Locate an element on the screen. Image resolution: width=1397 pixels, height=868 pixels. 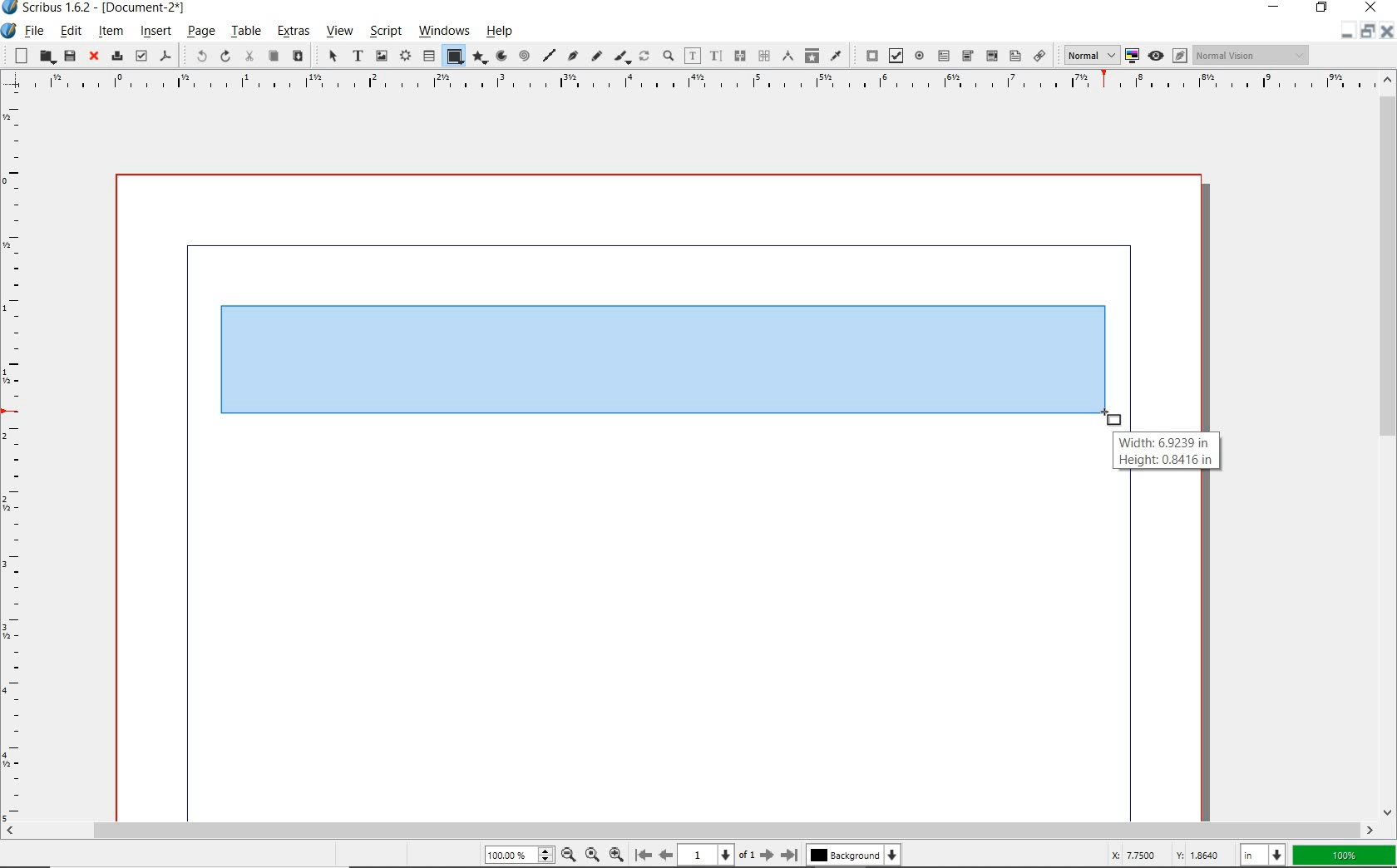
line is located at coordinates (550, 55).